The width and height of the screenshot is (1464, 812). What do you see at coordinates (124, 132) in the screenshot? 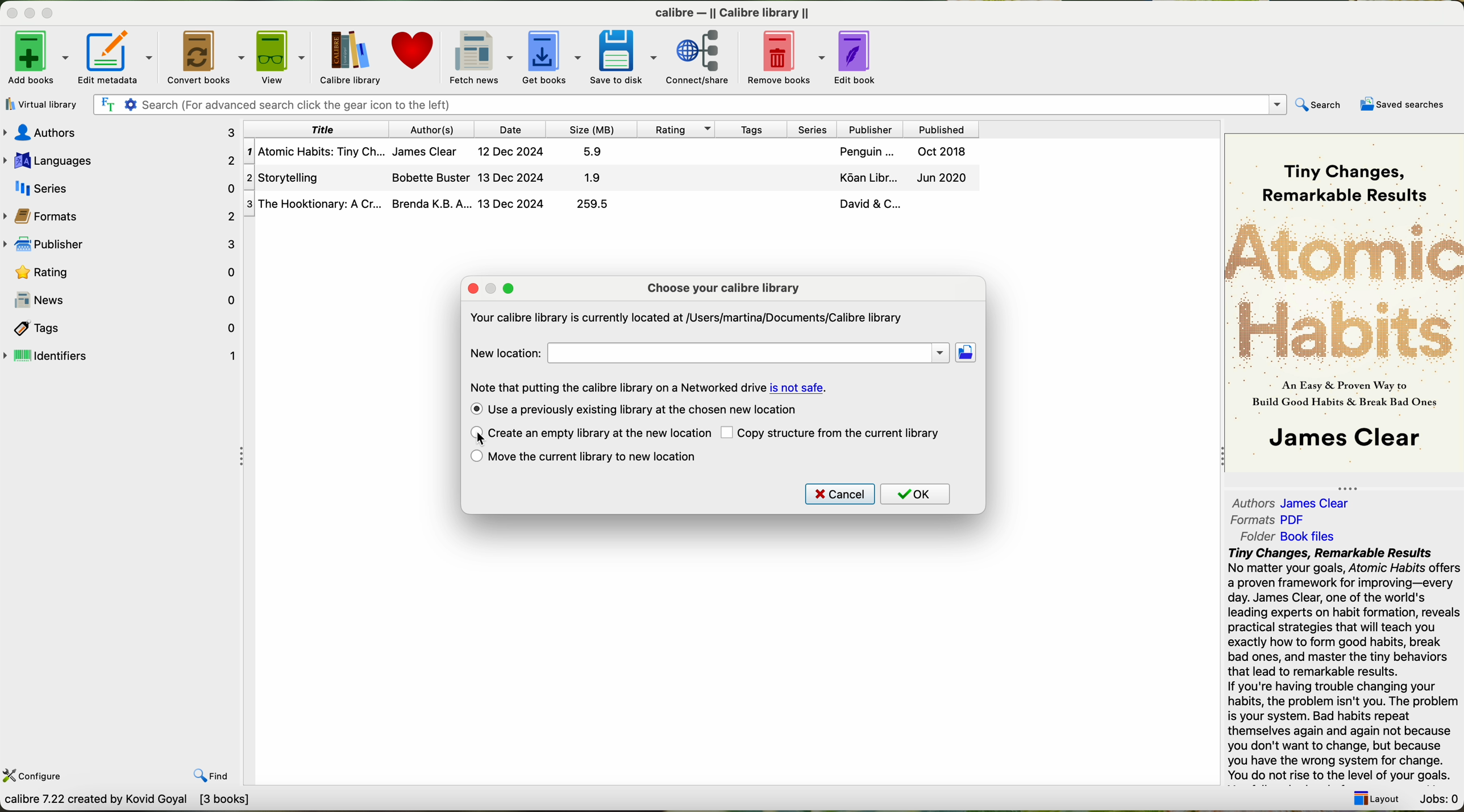
I see `authors` at bounding box center [124, 132].